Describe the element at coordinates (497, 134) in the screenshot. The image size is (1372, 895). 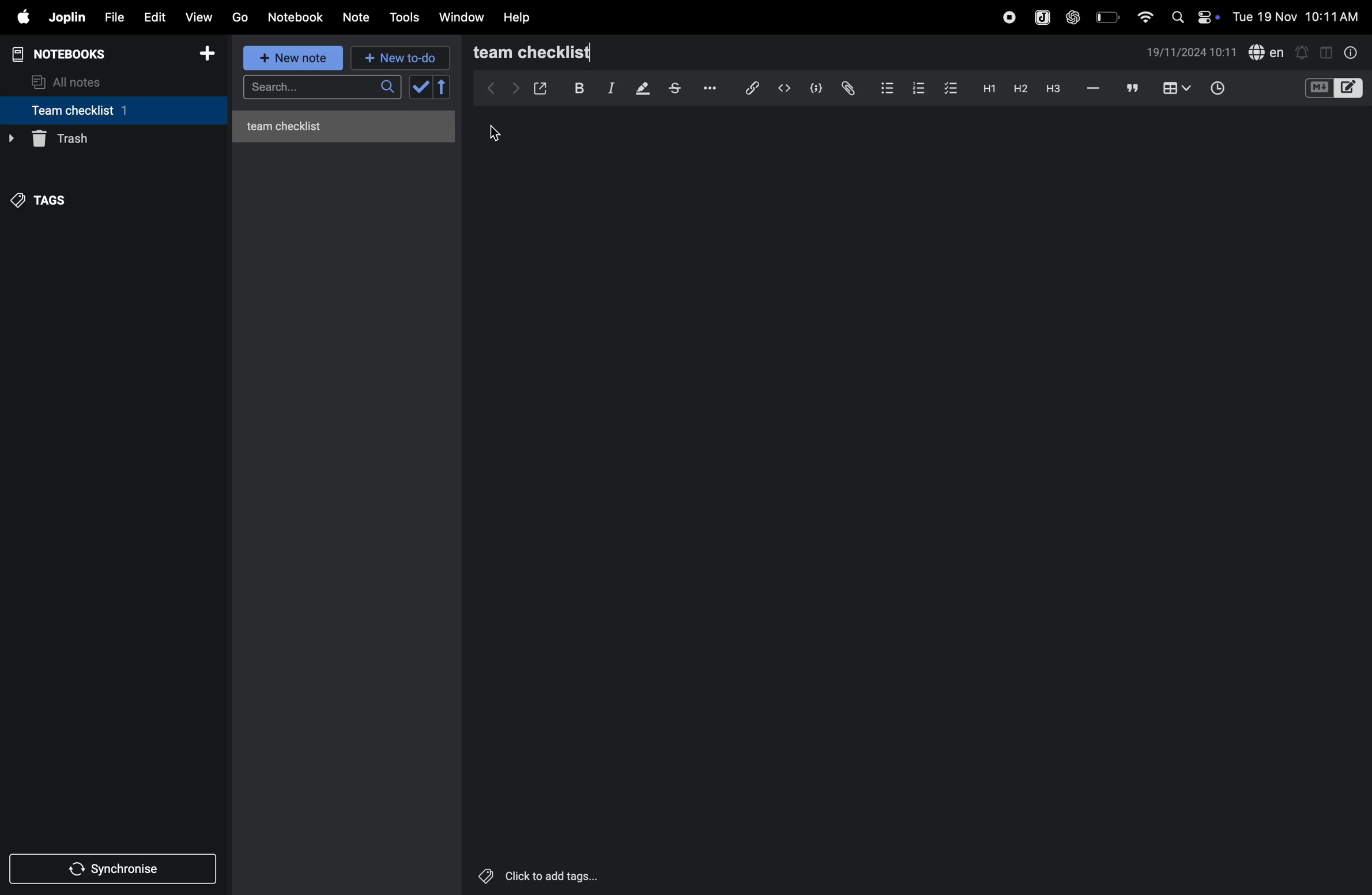
I see `cursor` at that location.